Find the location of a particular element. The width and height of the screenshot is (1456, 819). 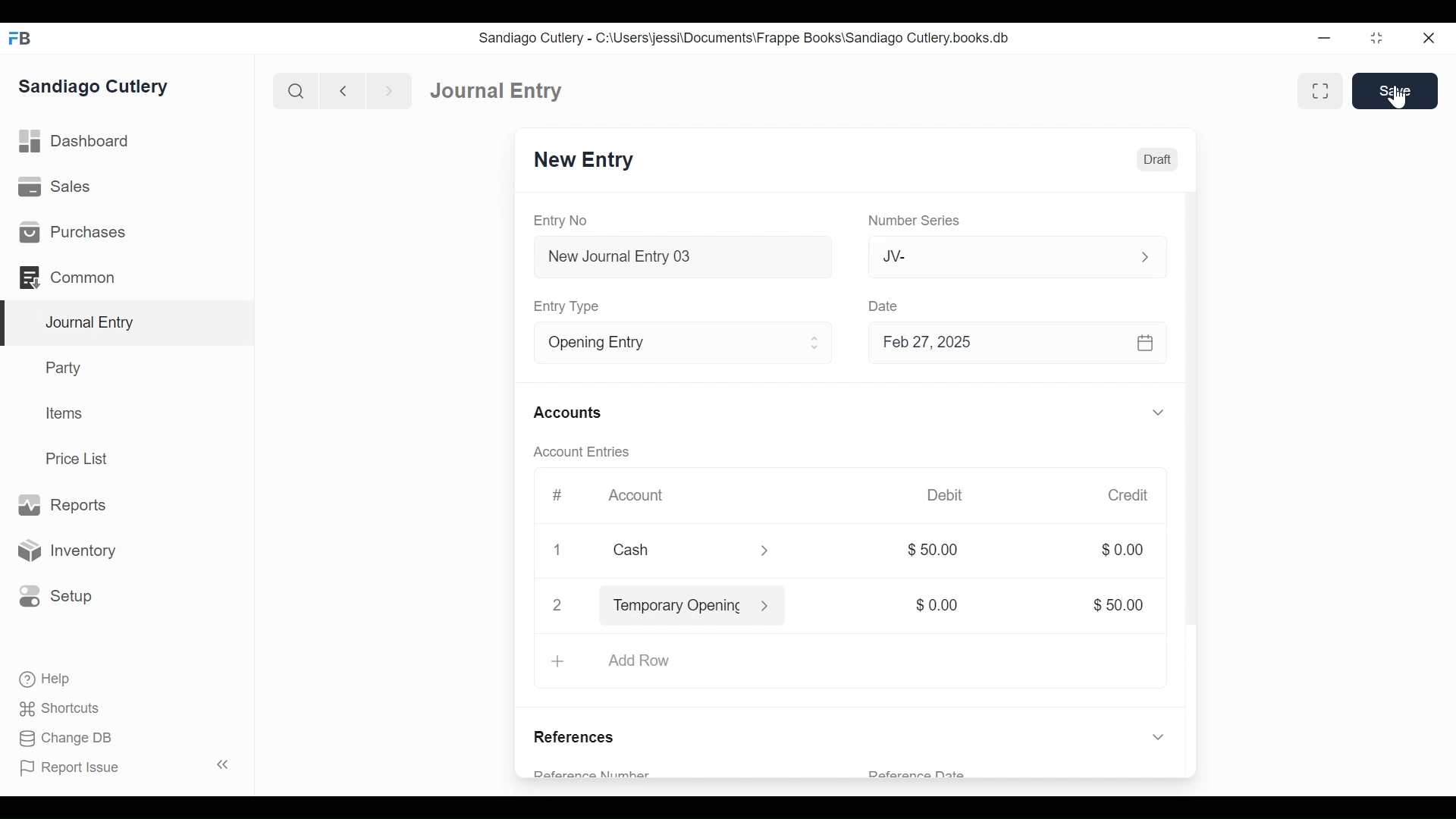

Minimize is located at coordinates (1326, 37).